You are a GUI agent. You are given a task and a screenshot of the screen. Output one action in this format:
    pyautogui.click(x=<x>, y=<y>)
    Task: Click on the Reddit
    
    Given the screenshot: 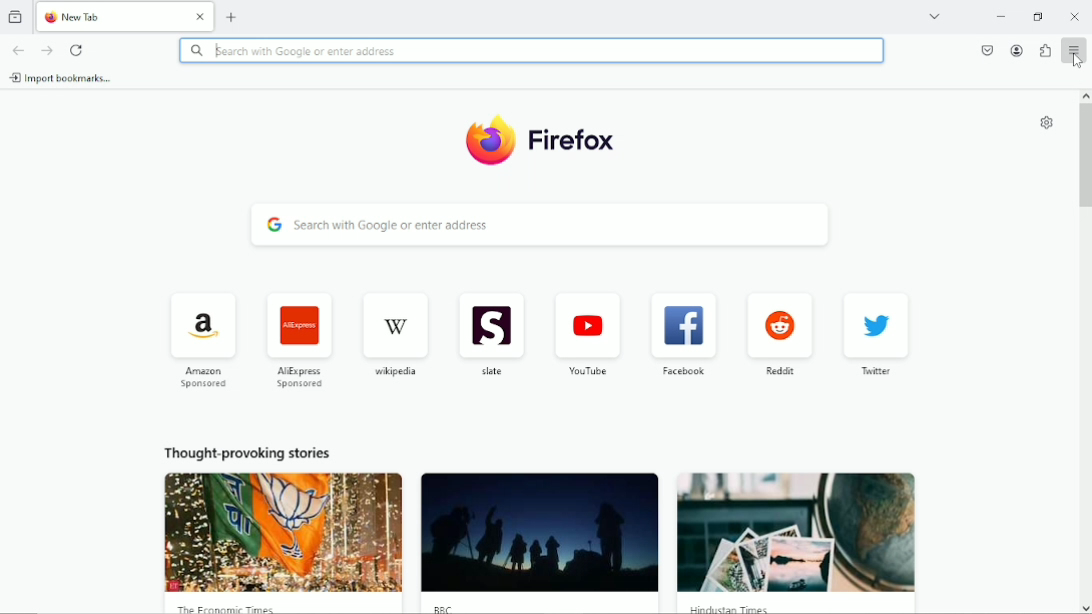 What is the action you would take?
    pyautogui.click(x=778, y=336)
    